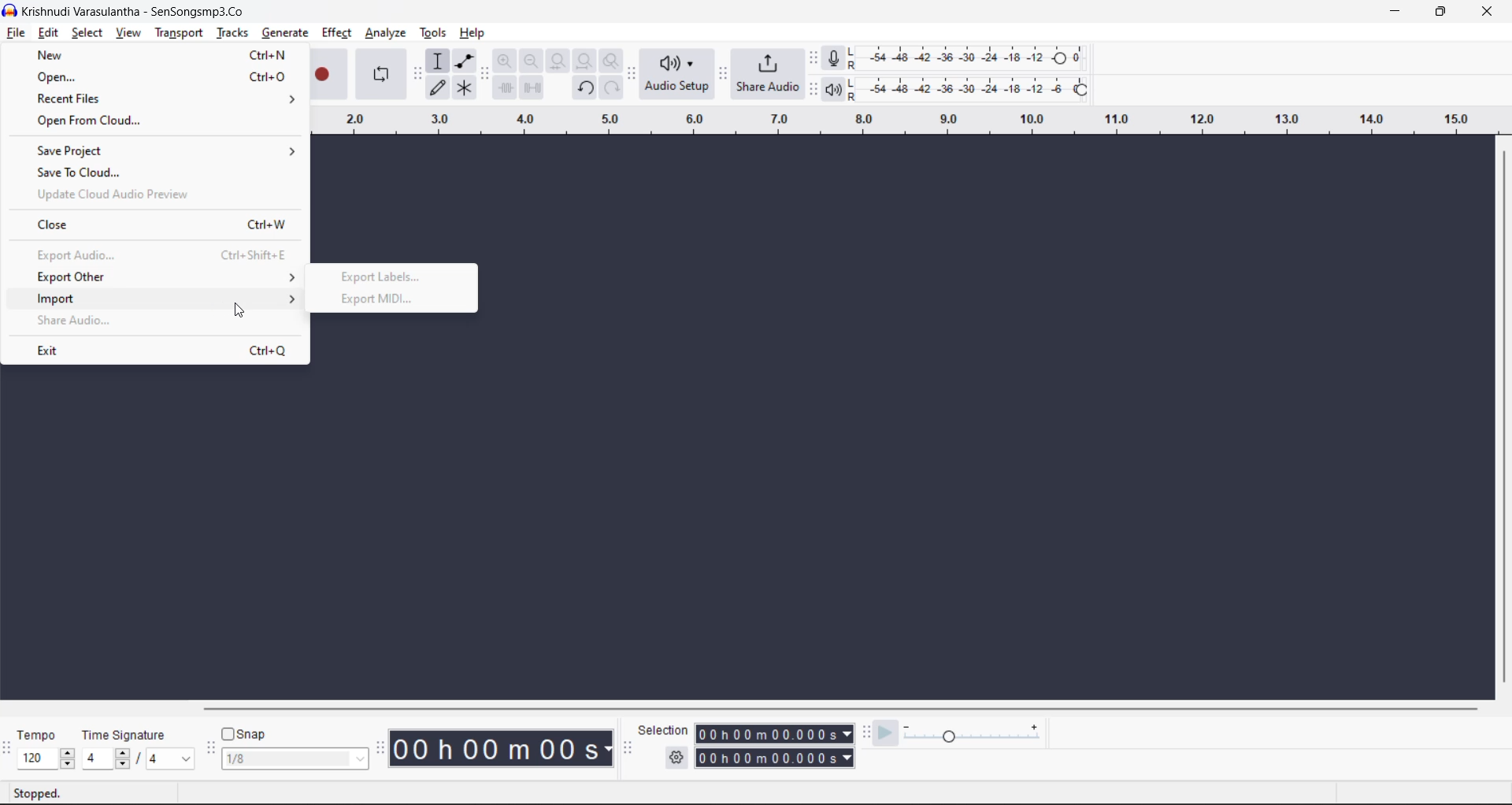 The height and width of the screenshot is (805, 1512). Describe the element at coordinates (295, 759) in the screenshot. I see `snap frame` at that location.